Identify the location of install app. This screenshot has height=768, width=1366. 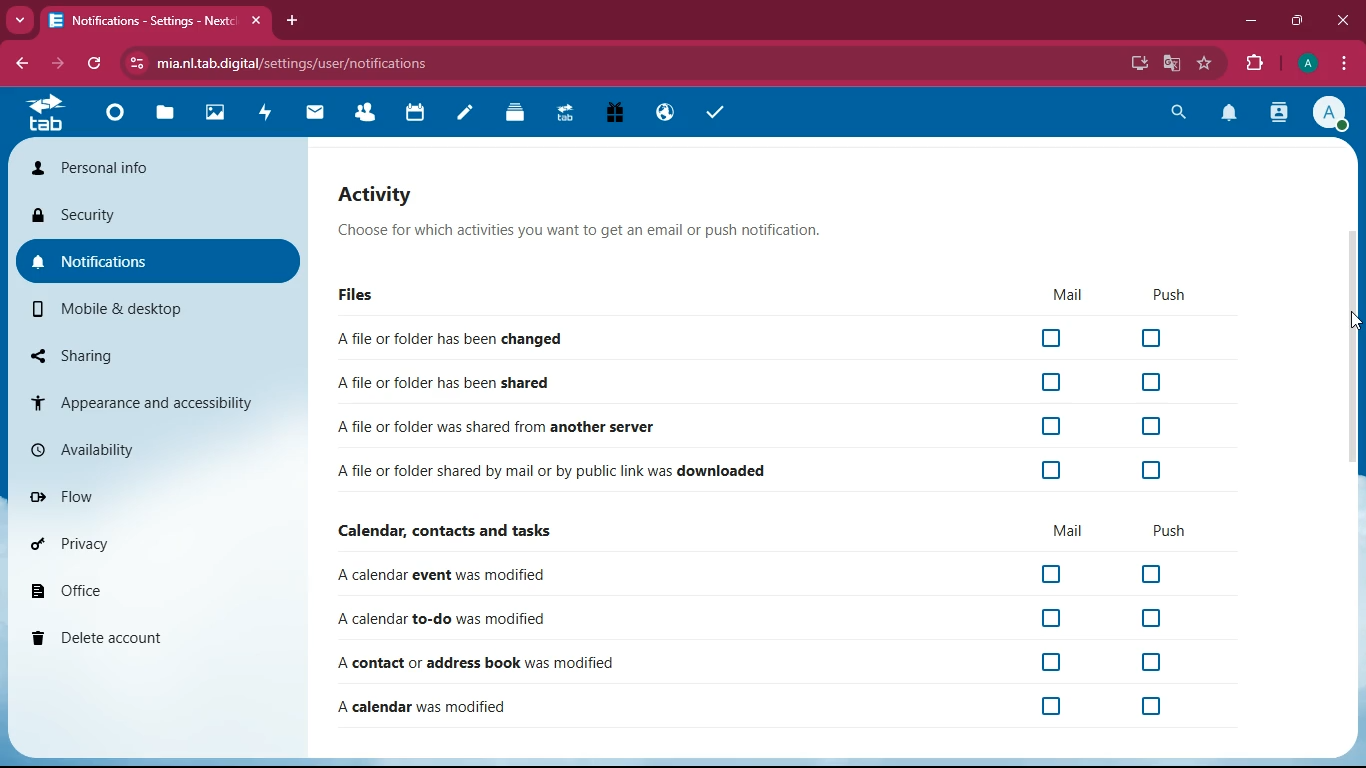
(1139, 63).